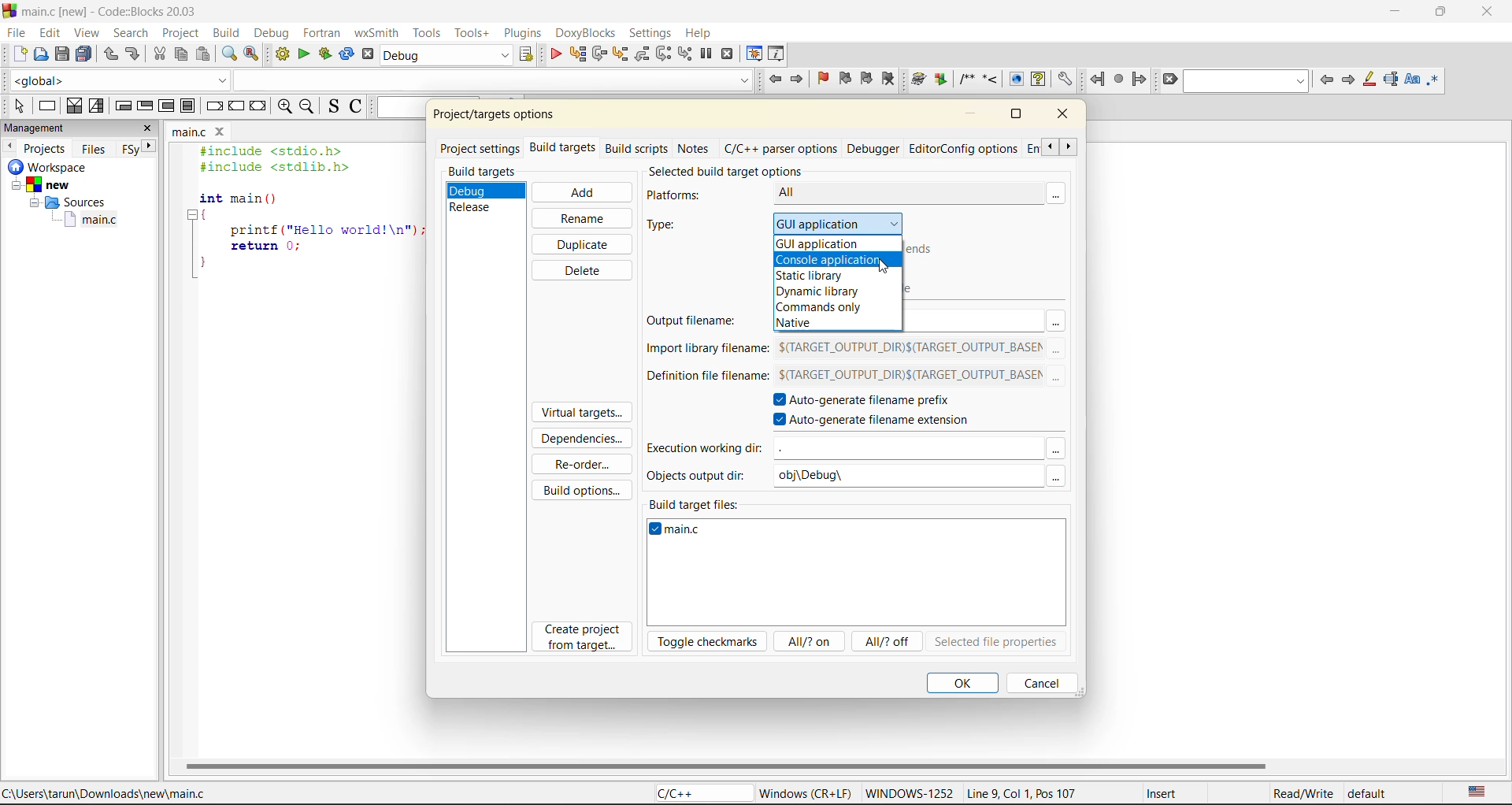 This screenshot has width=1512, height=805. What do you see at coordinates (580, 270) in the screenshot?
I see `delete` at bounding box center [580, 270].